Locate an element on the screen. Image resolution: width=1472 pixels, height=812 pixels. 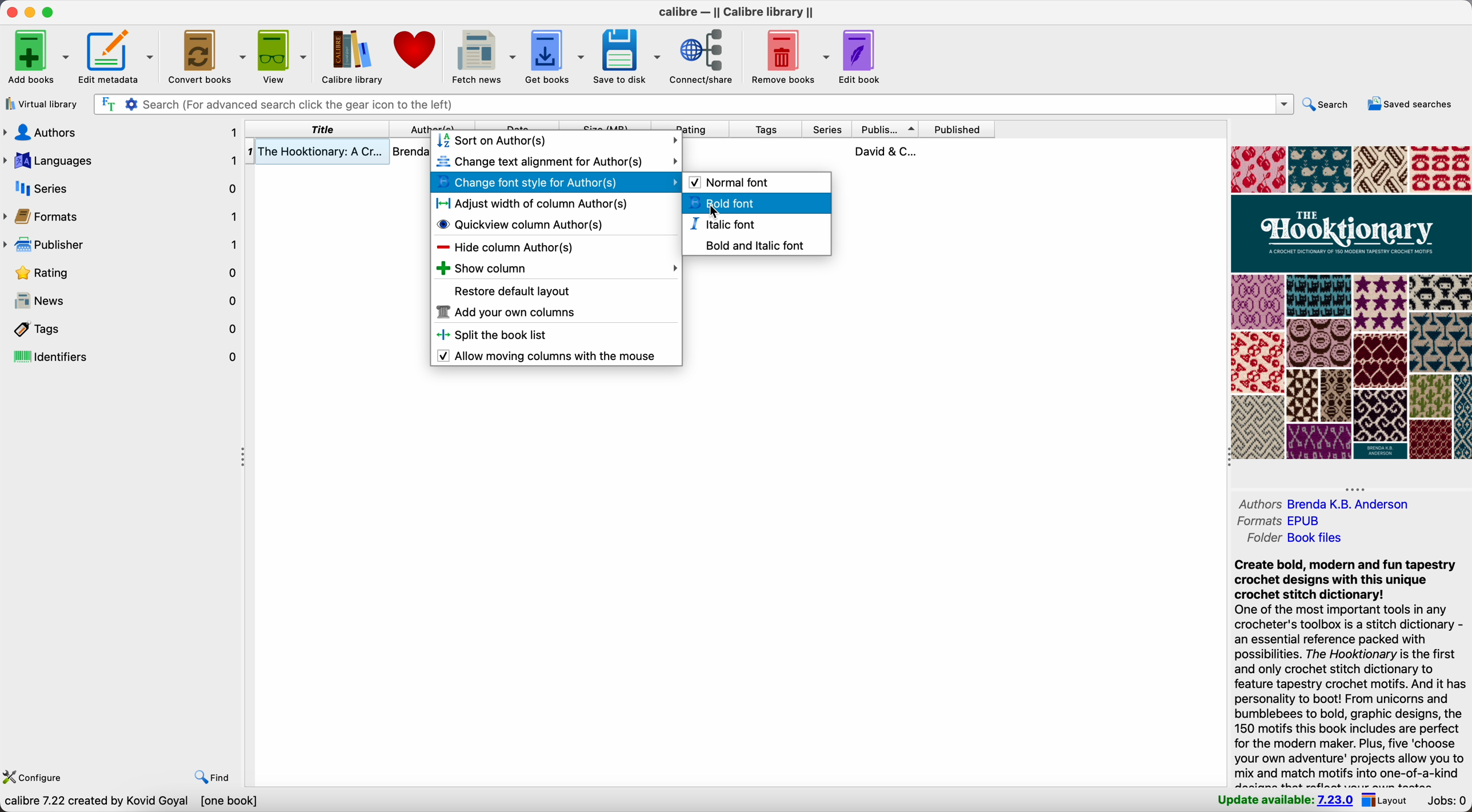
add your own columns is located at coordinates (505, 314).